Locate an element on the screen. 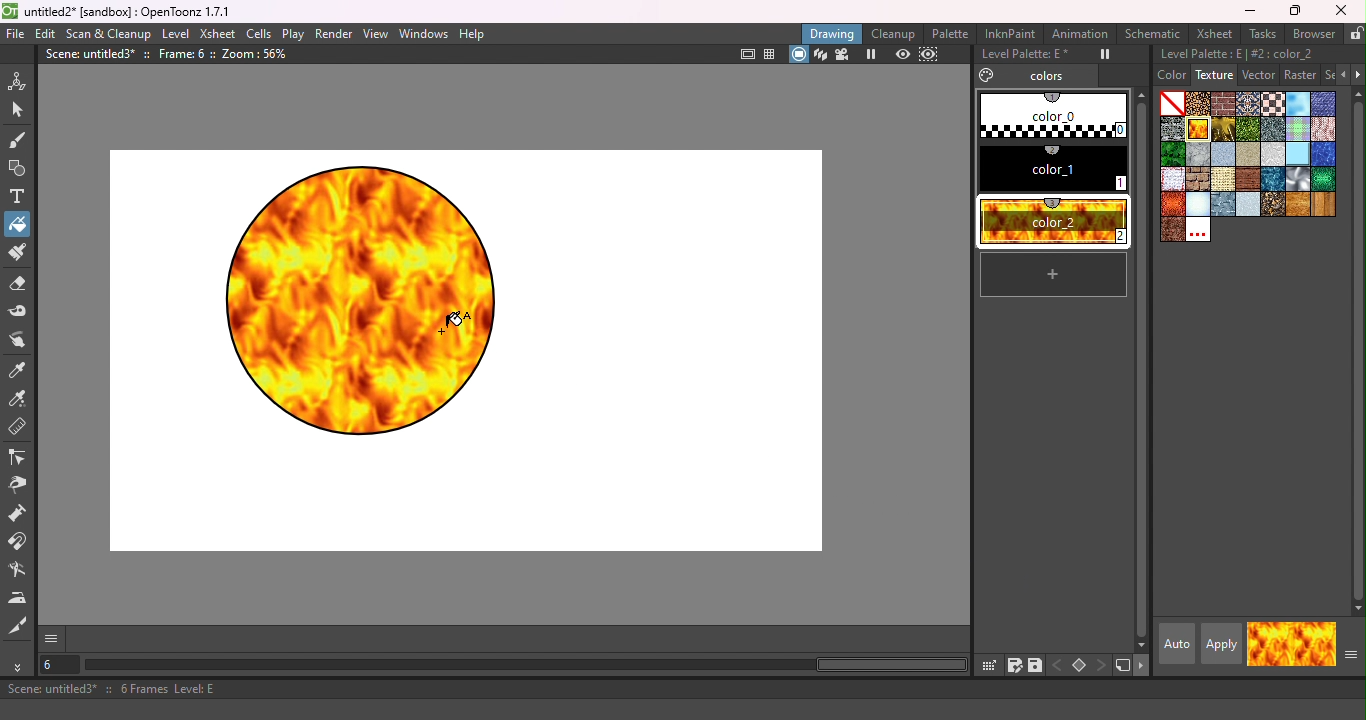  Xsheet is located at coordinates (1214, 34).